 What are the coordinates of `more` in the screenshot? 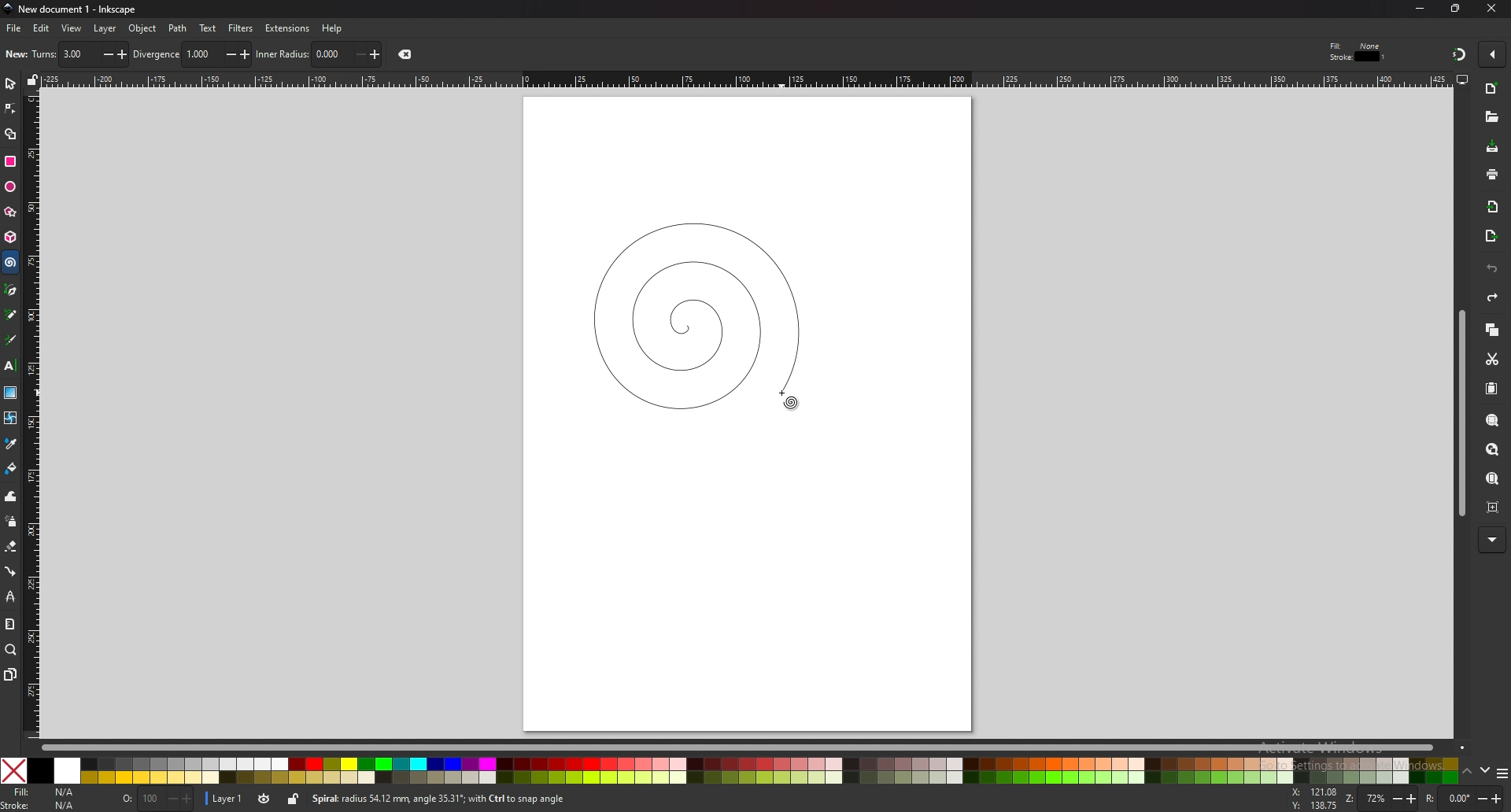 It's located at (1492, 538).